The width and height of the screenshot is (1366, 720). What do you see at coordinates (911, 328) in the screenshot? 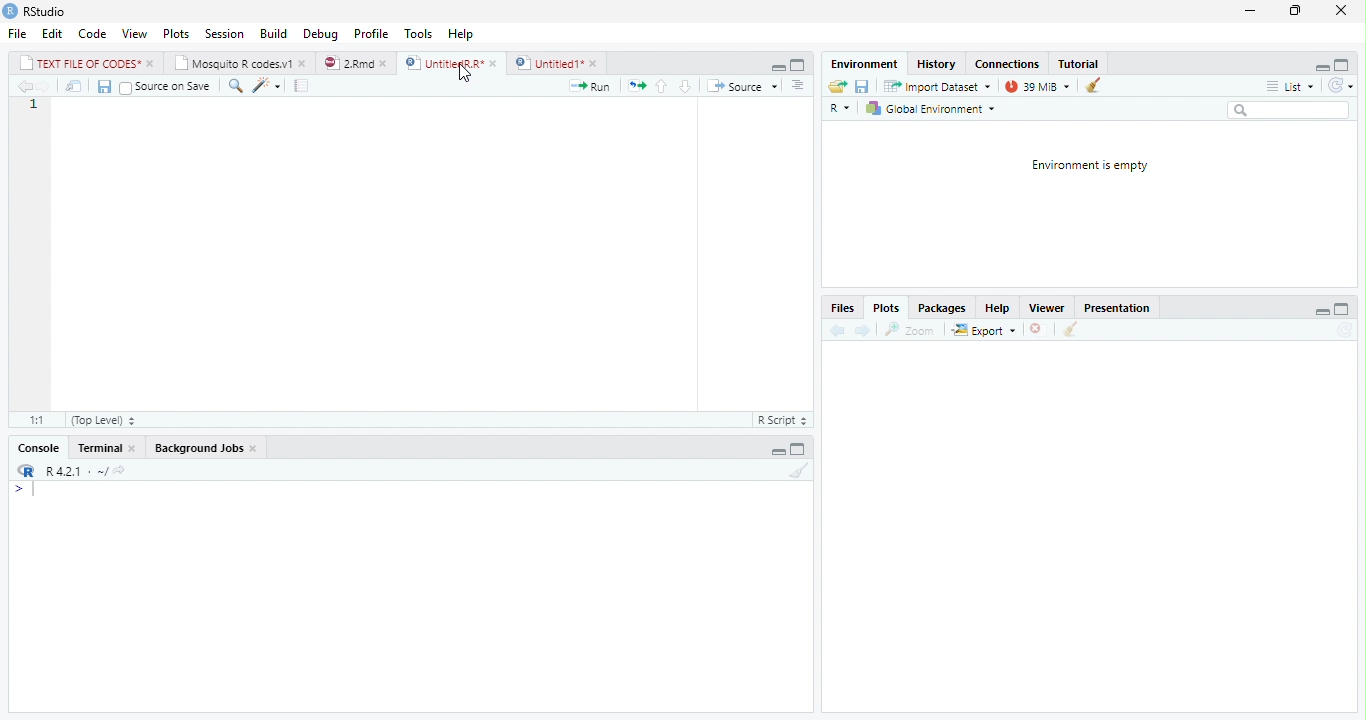
I see `Zoom` at bounding box center [911, 328].